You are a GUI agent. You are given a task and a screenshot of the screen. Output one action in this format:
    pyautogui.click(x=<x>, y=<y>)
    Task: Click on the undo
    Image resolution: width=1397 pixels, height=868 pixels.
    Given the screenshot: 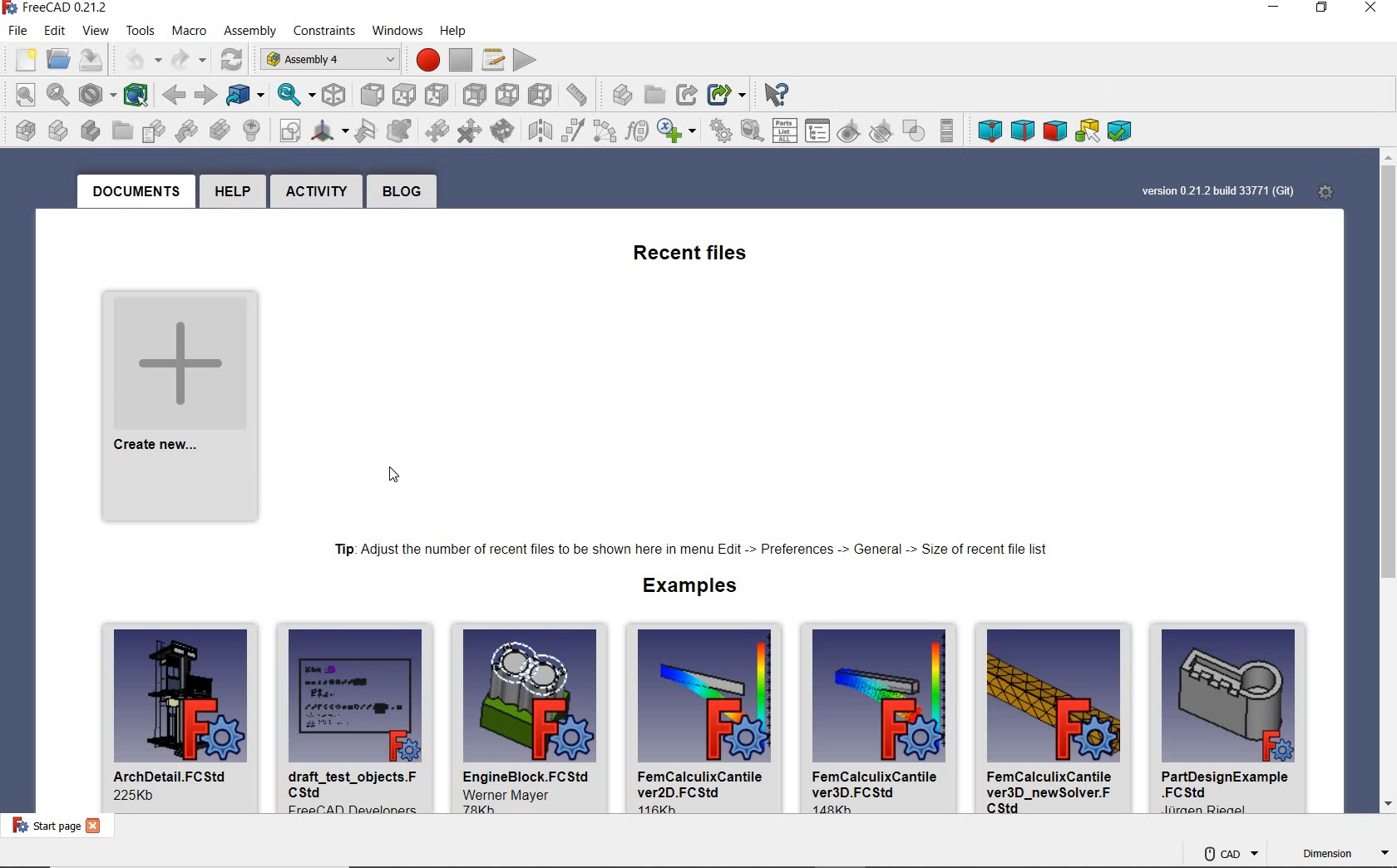 What is the action you would take?
    pyautogui.click(x=136, y=60)
    